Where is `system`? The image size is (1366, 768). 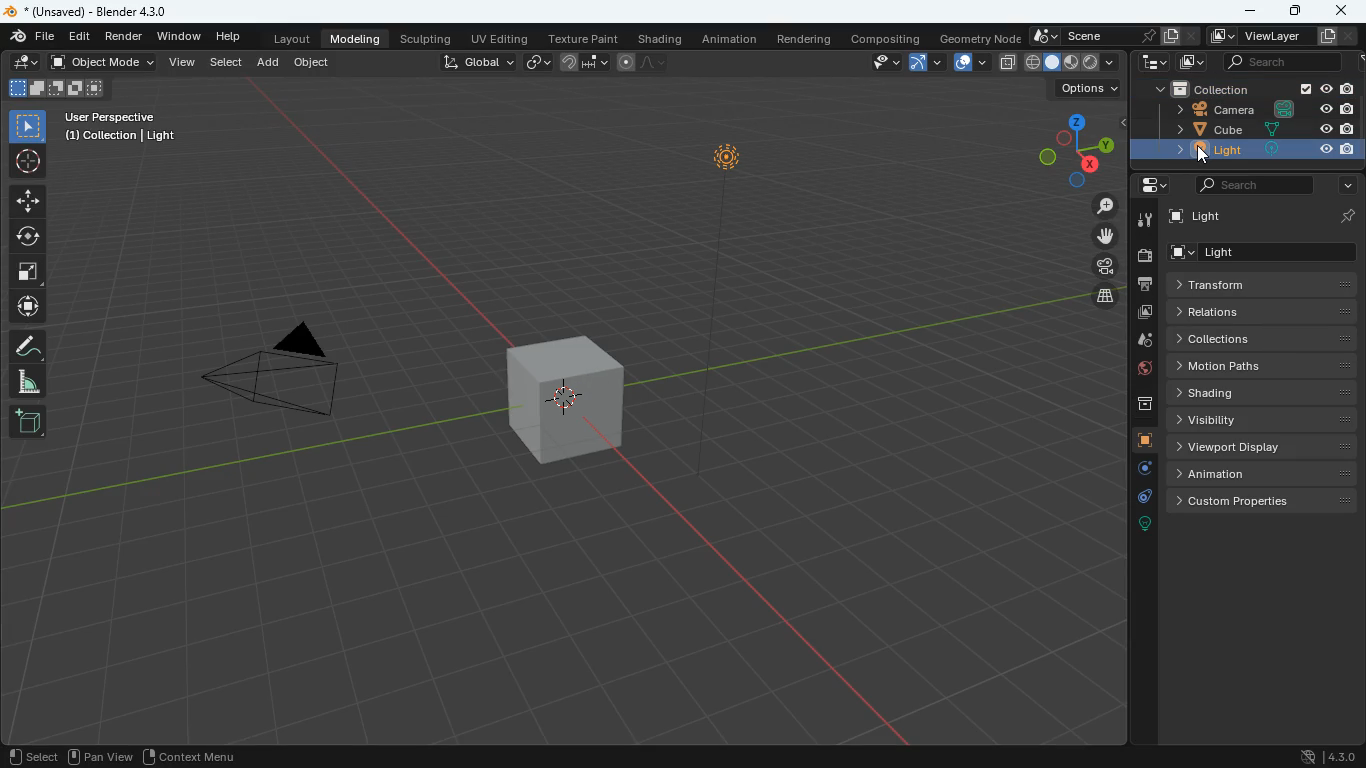
system is located at coordinates (1153, 64).